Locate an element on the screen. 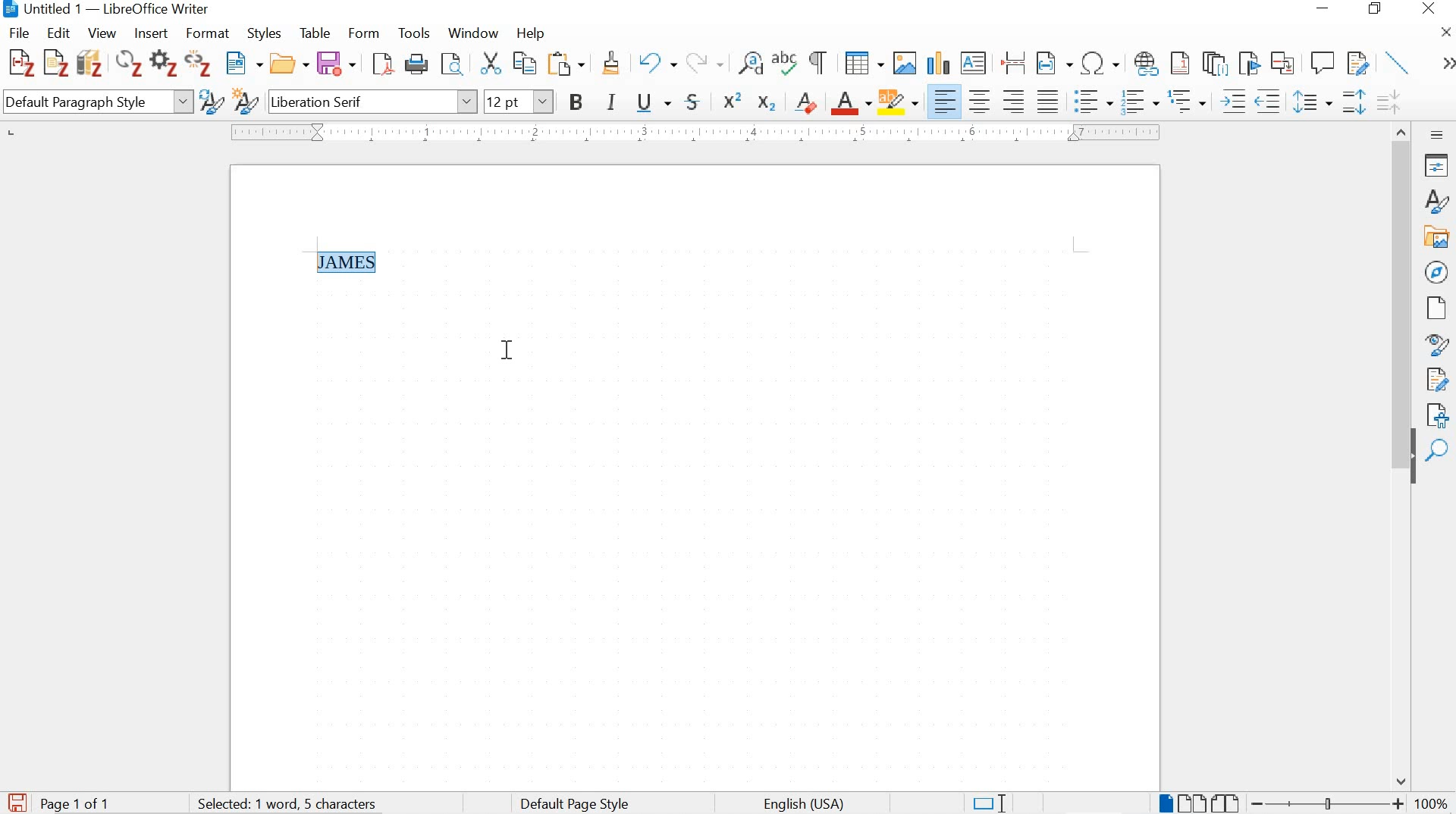  toggle formatting marks is located at coordinates (819, 62).